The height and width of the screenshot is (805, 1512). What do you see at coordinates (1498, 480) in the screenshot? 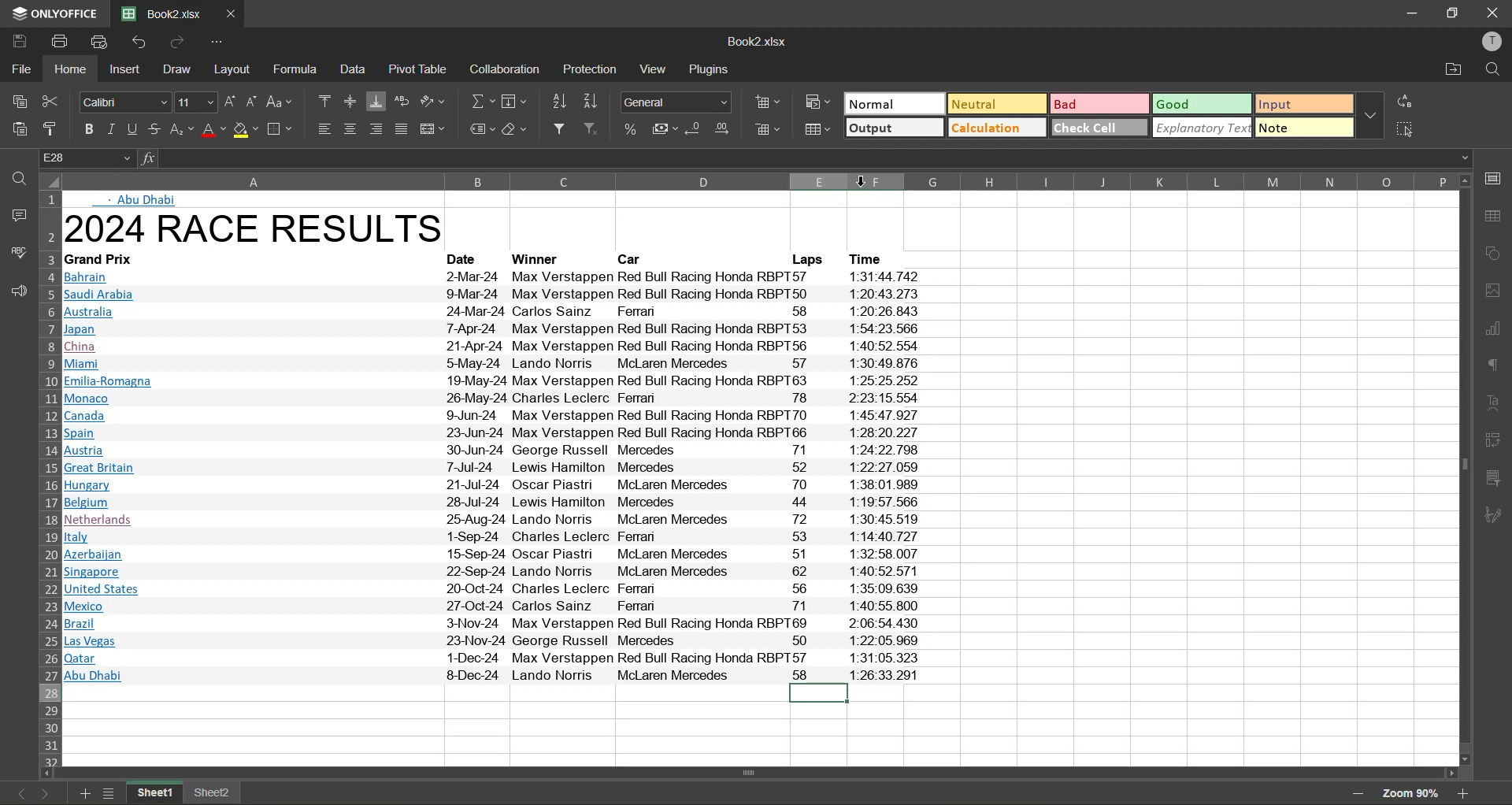
I see `slicer` at bounding box center [1498, 480].